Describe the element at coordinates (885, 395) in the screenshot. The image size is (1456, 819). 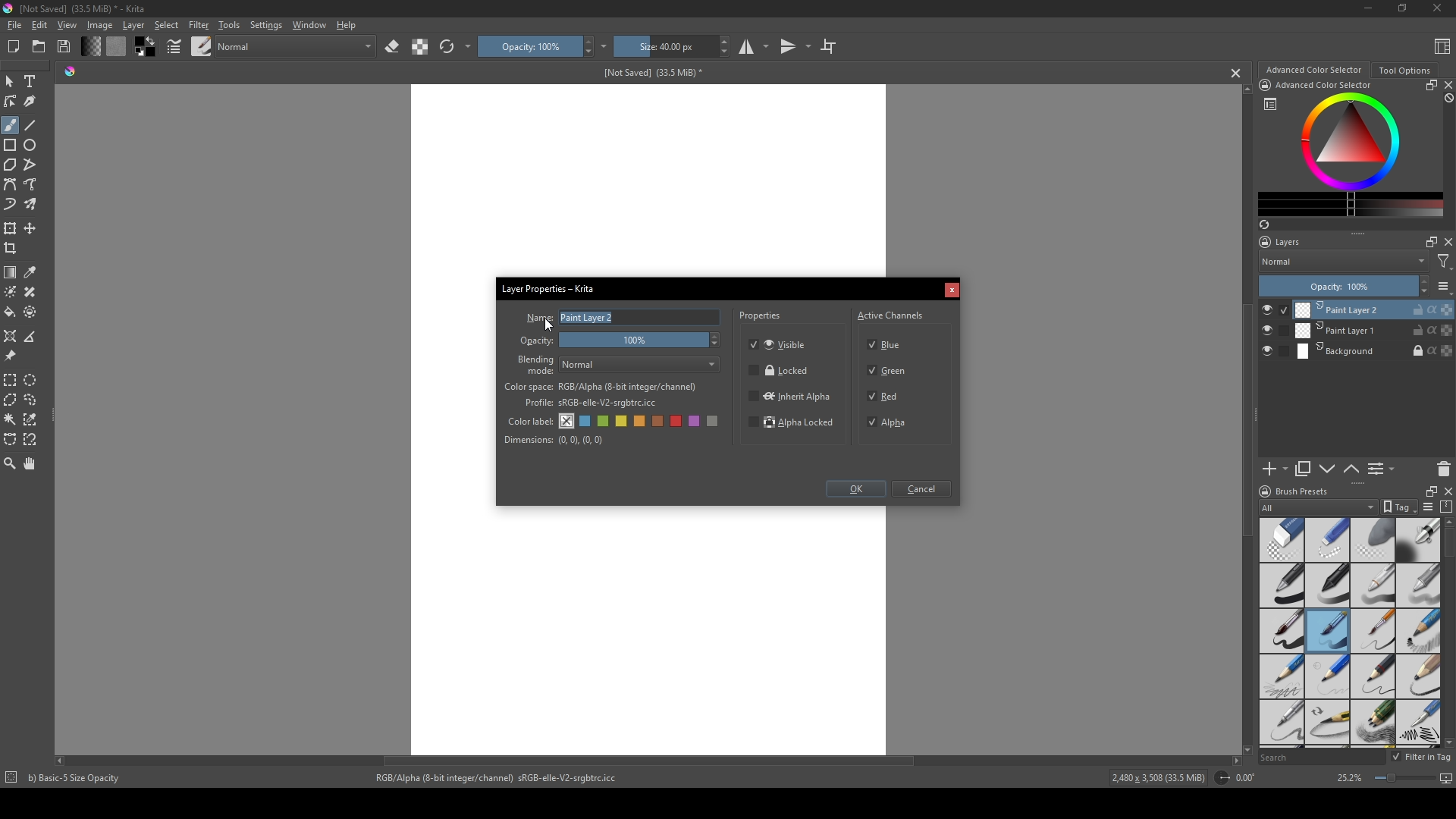
I see `Red` at that location.